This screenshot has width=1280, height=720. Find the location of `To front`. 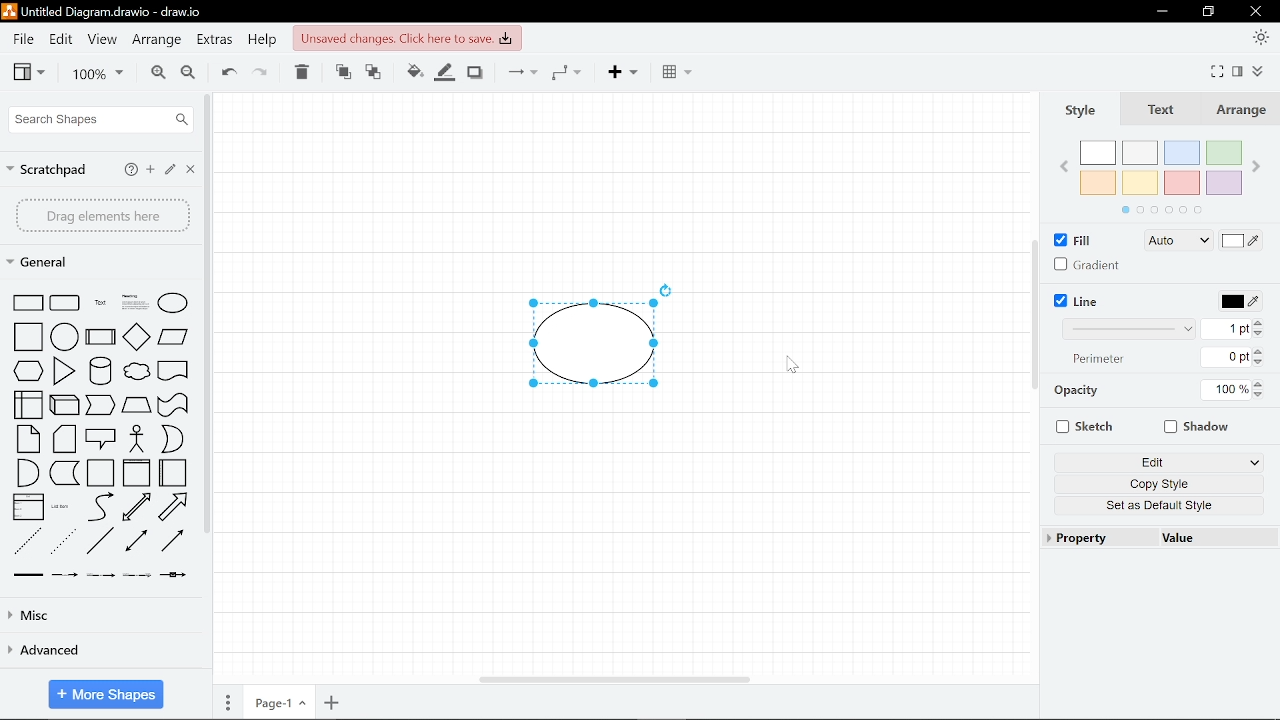

To front is located at coordinates (342, 72).